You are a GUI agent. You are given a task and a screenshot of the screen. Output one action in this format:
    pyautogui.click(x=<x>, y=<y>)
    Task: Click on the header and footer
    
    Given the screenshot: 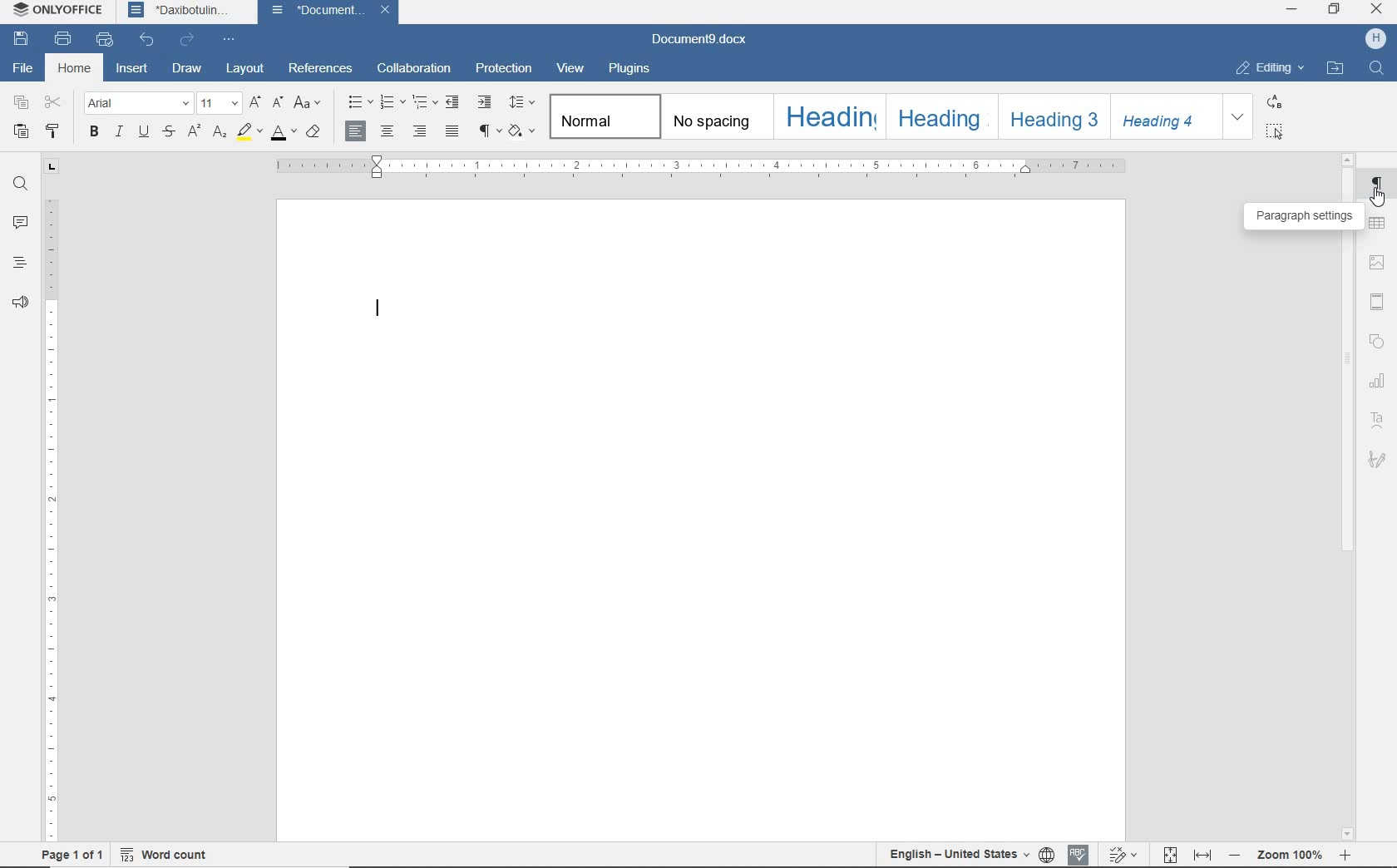 What is the action you would take?
    pyautogui.click(x=1377, y=301)
    